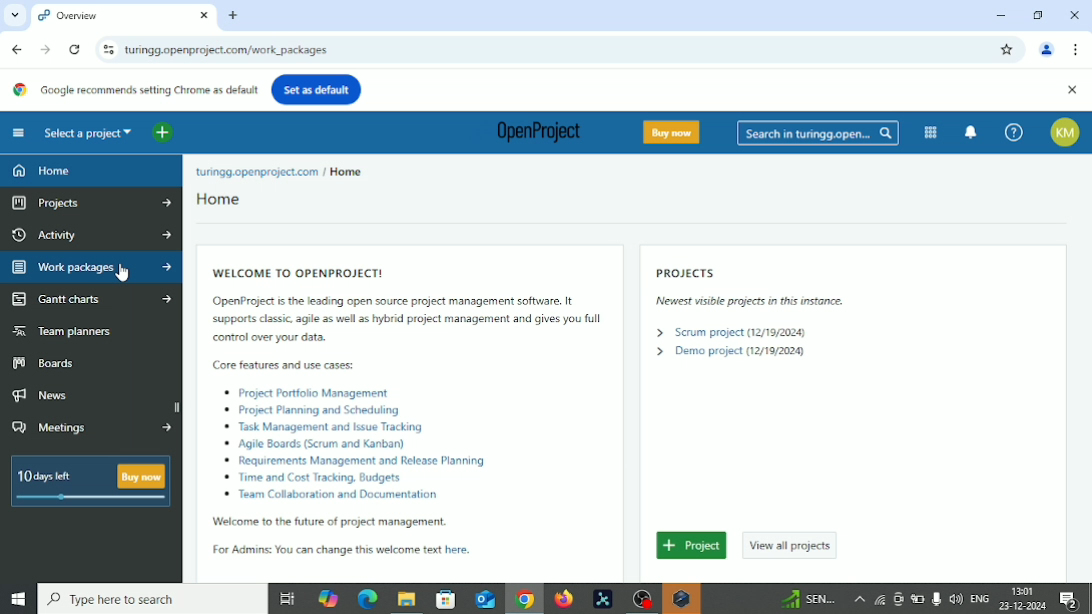 The width and height of the screenshot is (1092, 614). Describe the element at coordinates (44, 364) in the screenshot. I see `Boards` at that location.